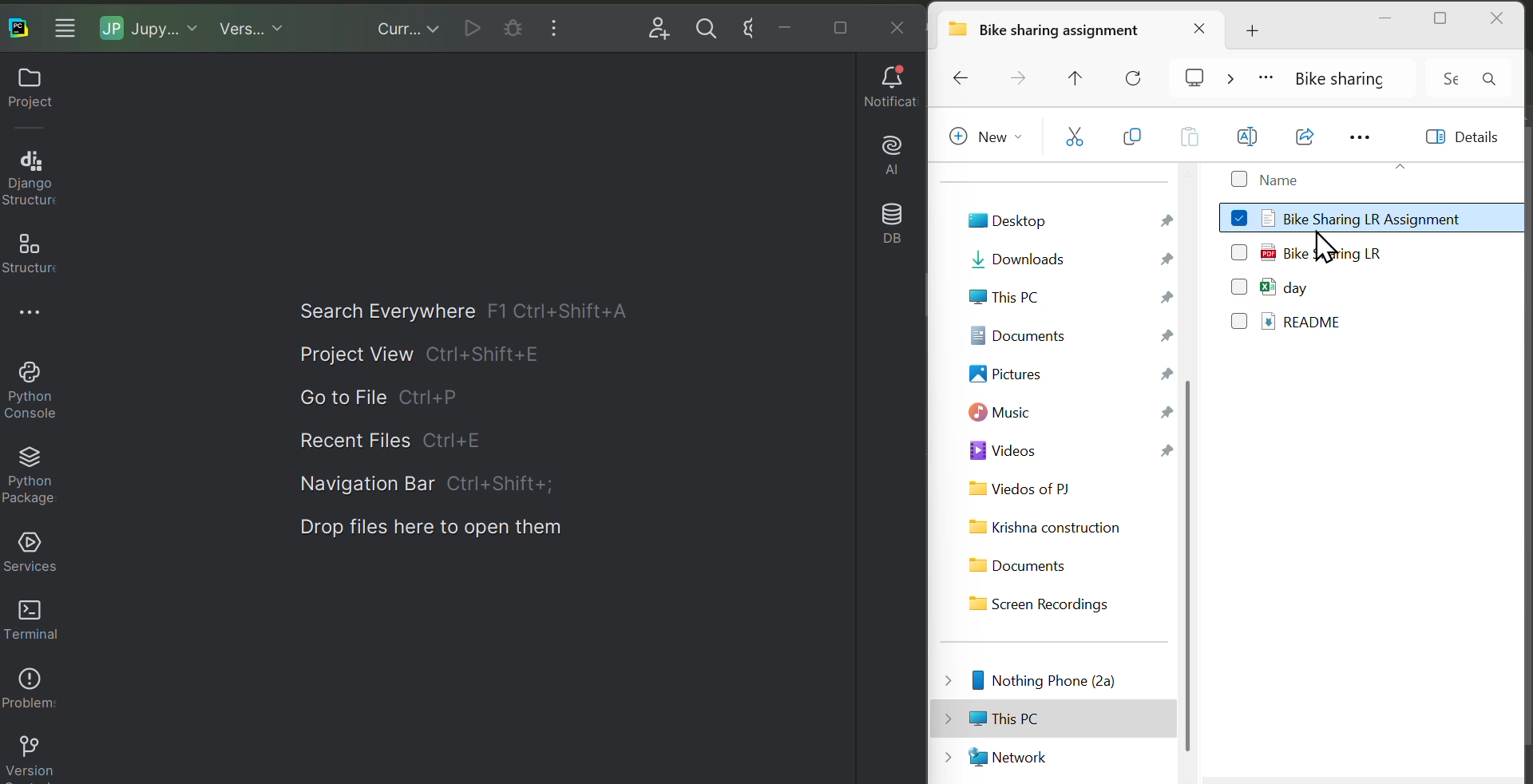 The image size is (1533, 784). Describe the element at coordinates (1083, 77) in the screenshot. I see `Move up` at that location.